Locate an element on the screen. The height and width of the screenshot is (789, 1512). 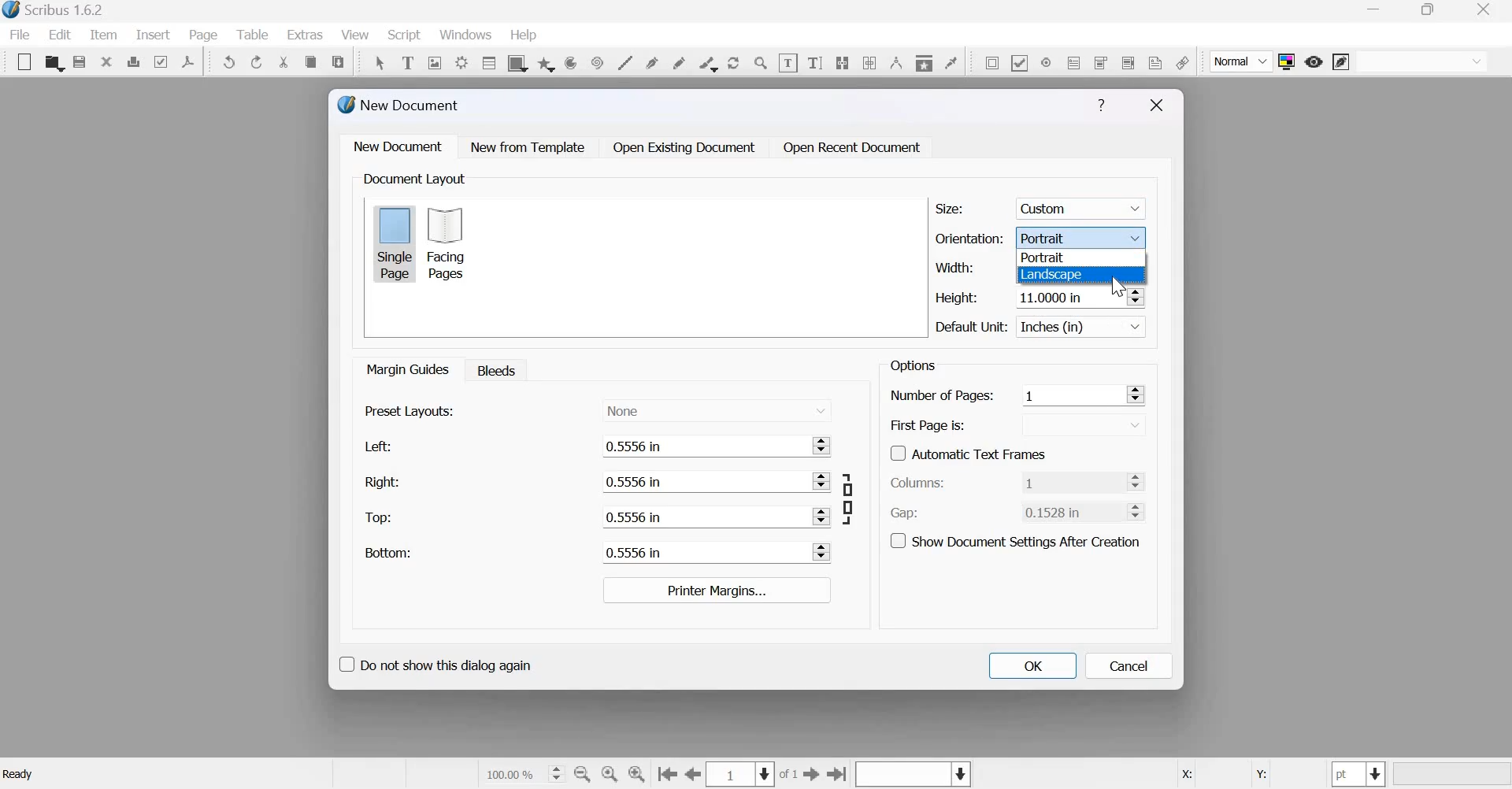
unlink text frames is located at coordinates (869, 61).